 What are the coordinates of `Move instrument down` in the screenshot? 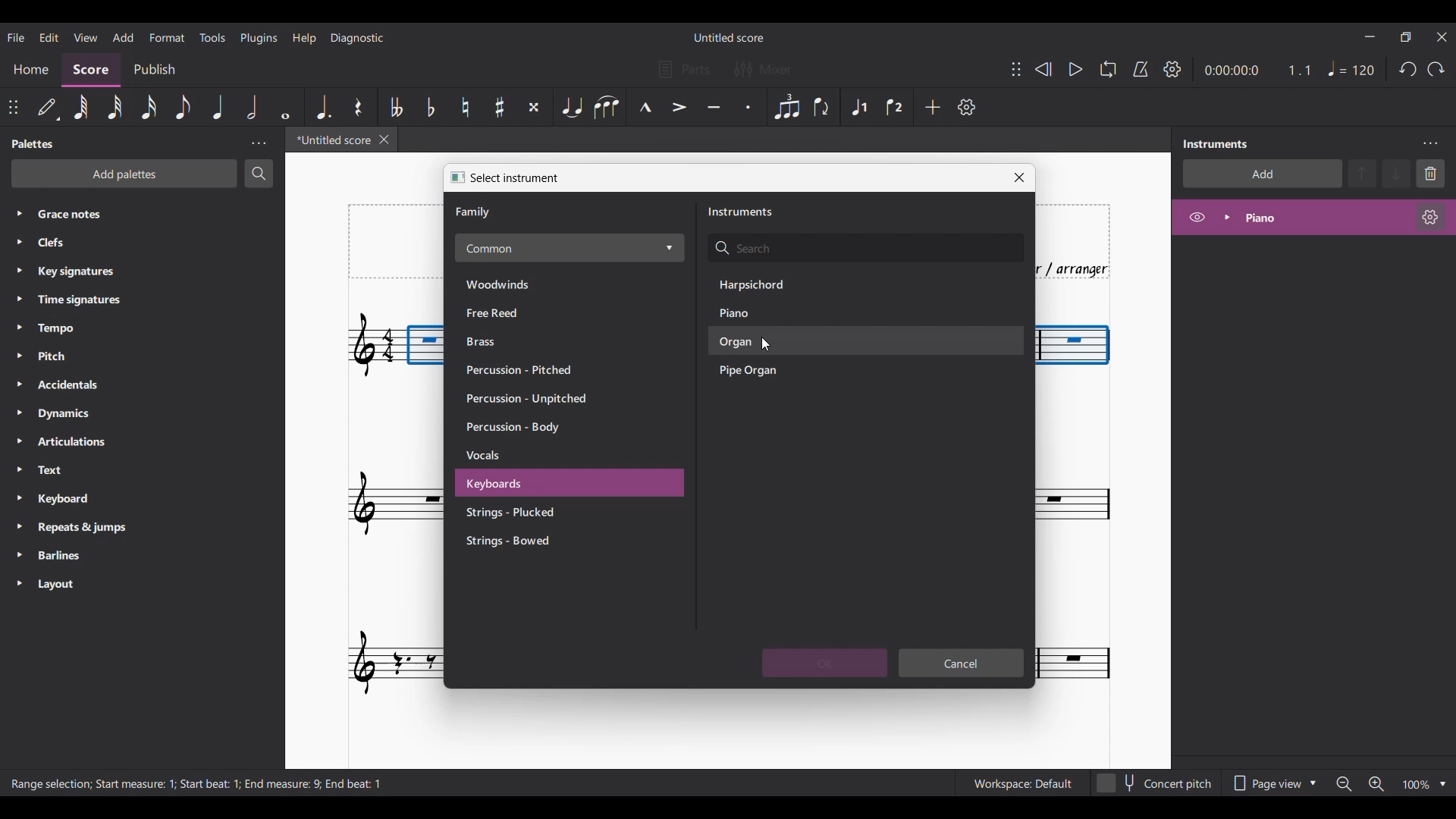 It's located at (1396, 173).